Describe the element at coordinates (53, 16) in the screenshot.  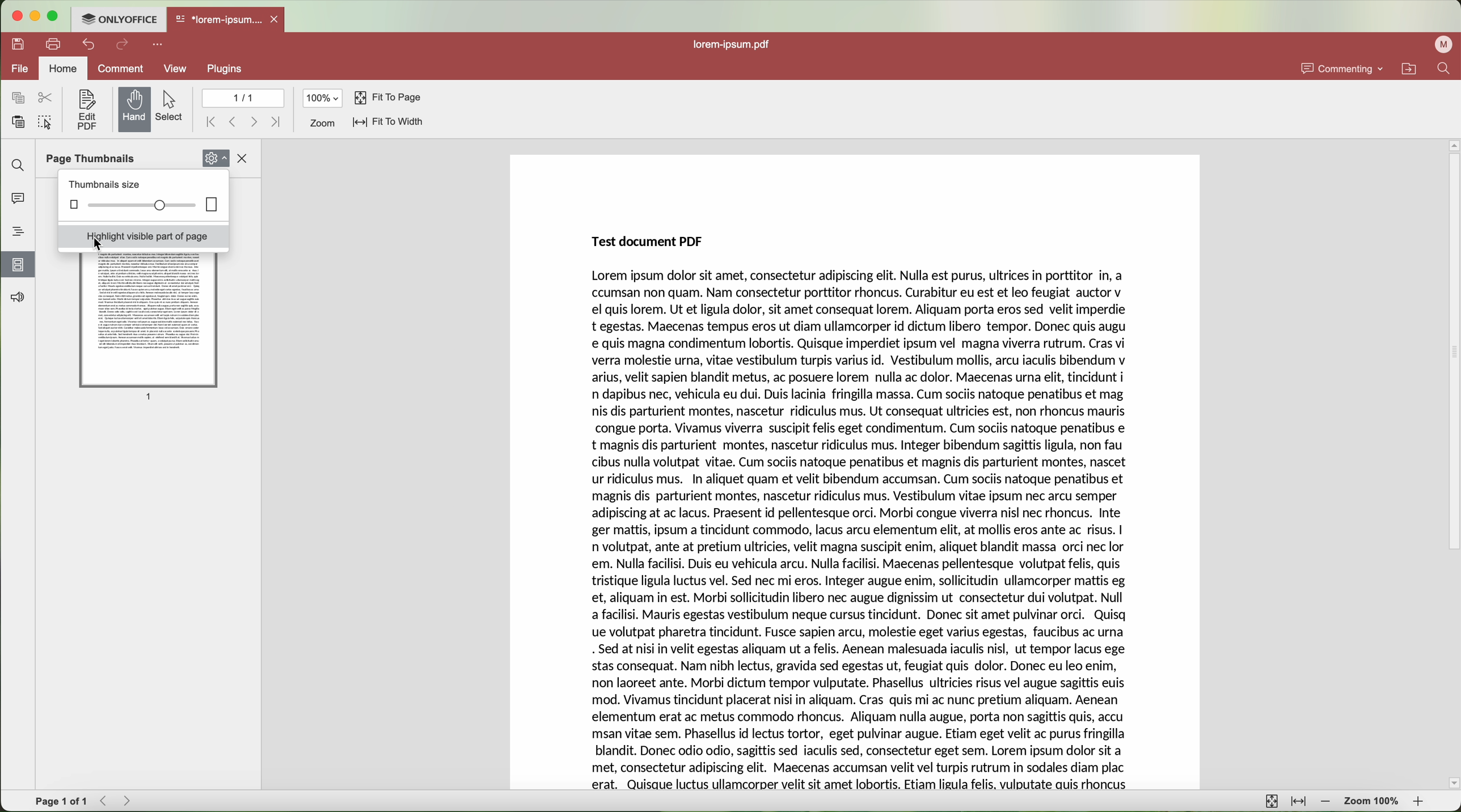
I see `maximize program` at that location.